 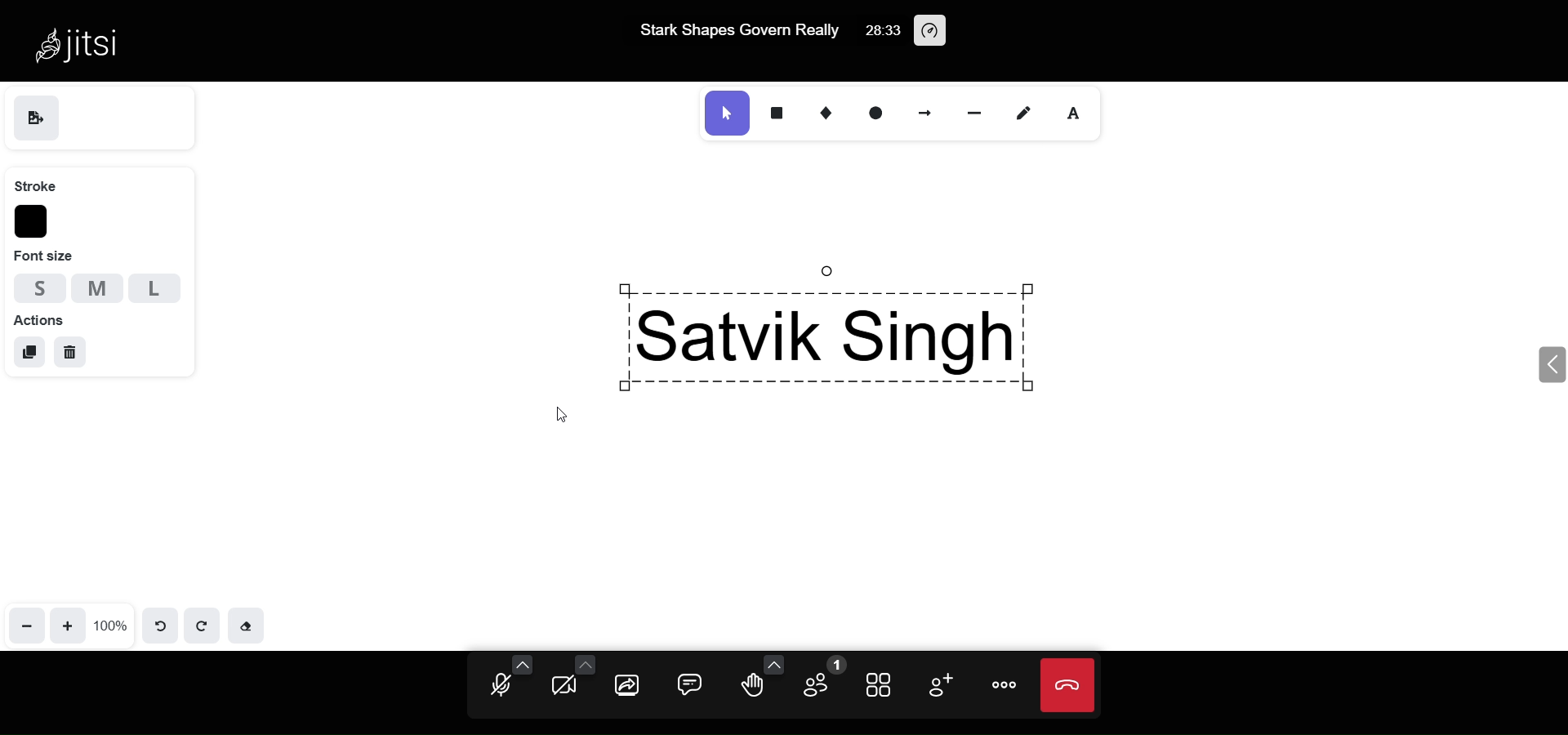 I want to click on Jitsi, so click(x=87, y=43).